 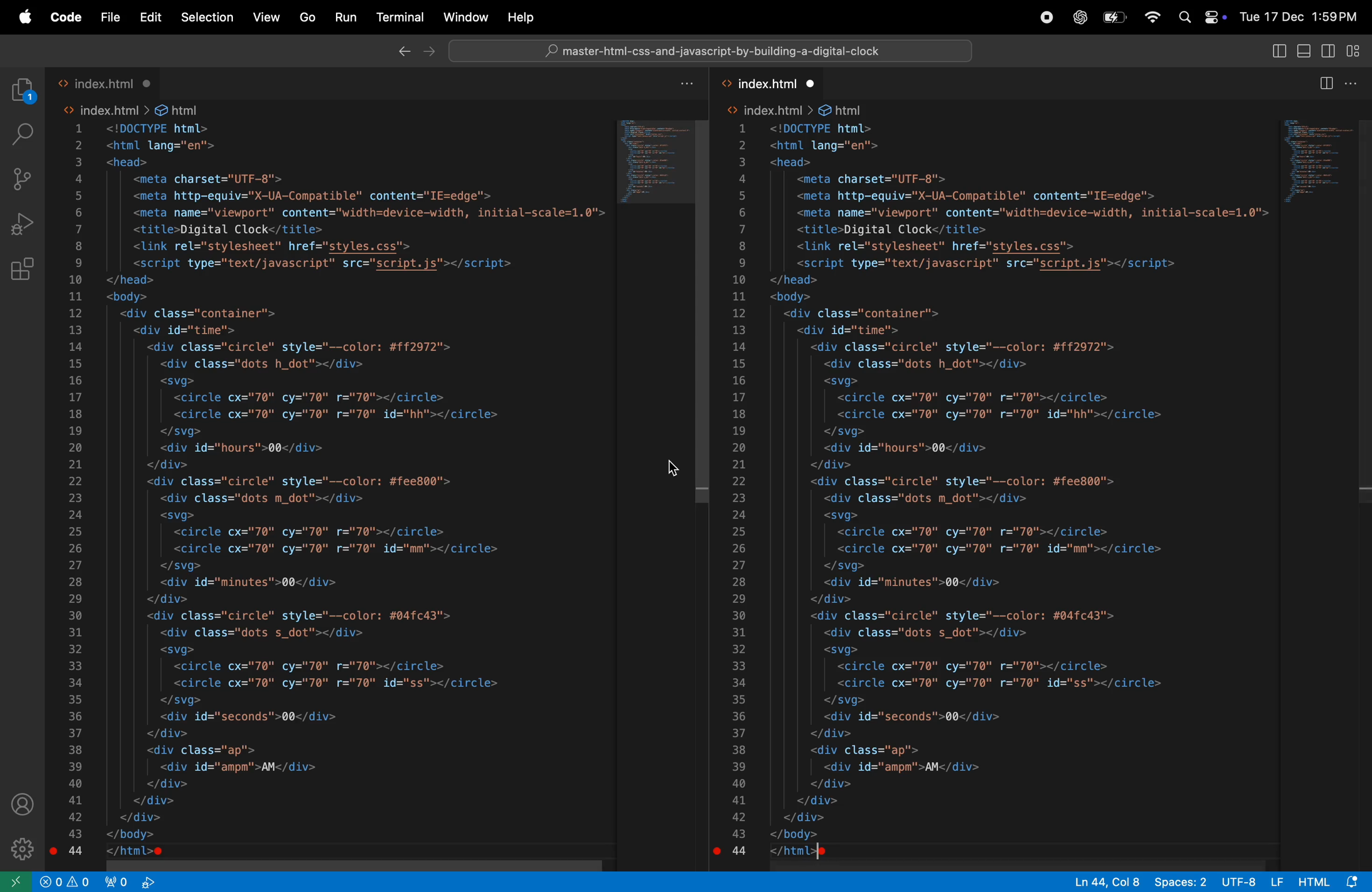 I want to click on line index, so click(x=740, y=494).